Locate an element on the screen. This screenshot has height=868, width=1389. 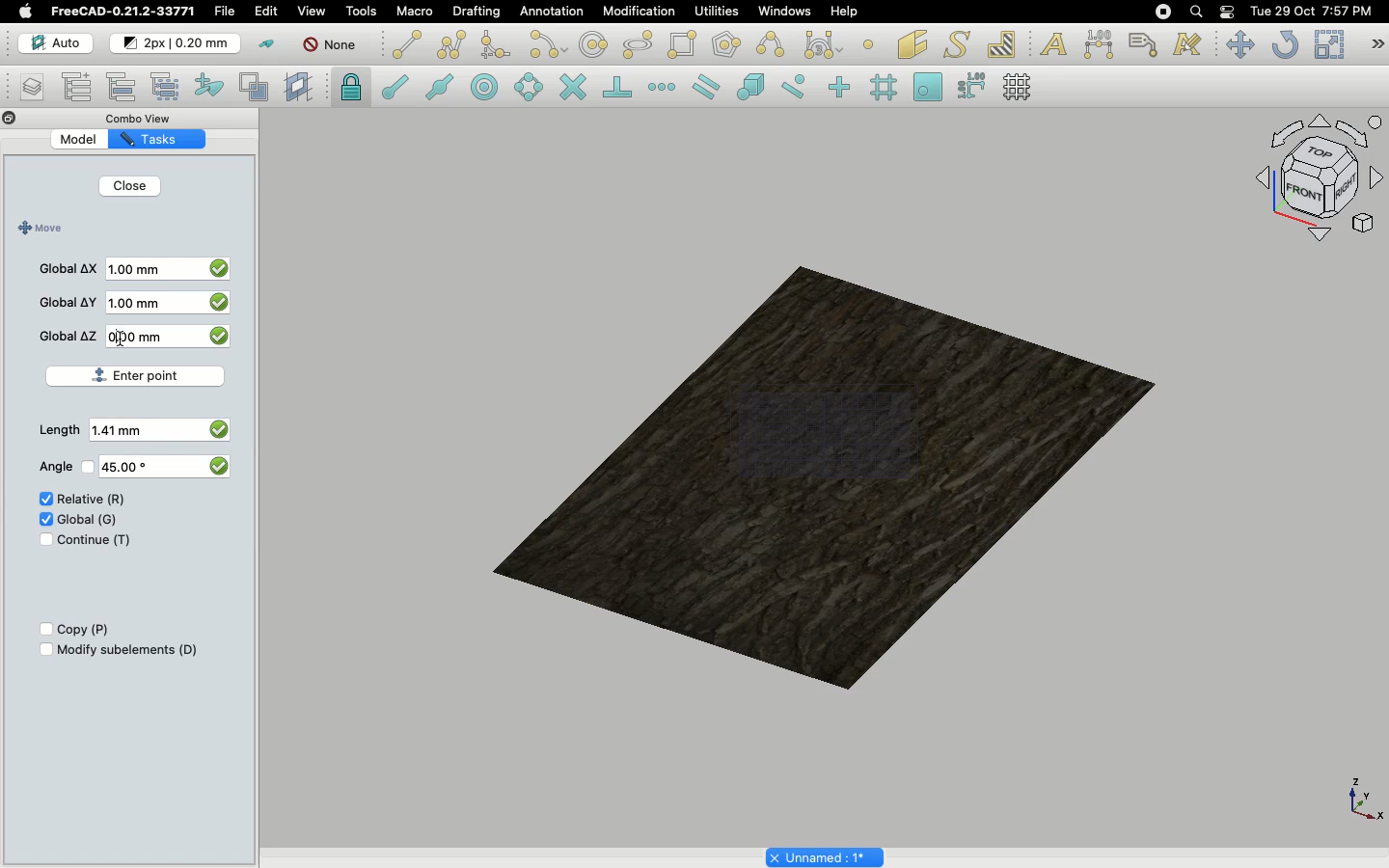
Text is located at coordinates (1053, 45).